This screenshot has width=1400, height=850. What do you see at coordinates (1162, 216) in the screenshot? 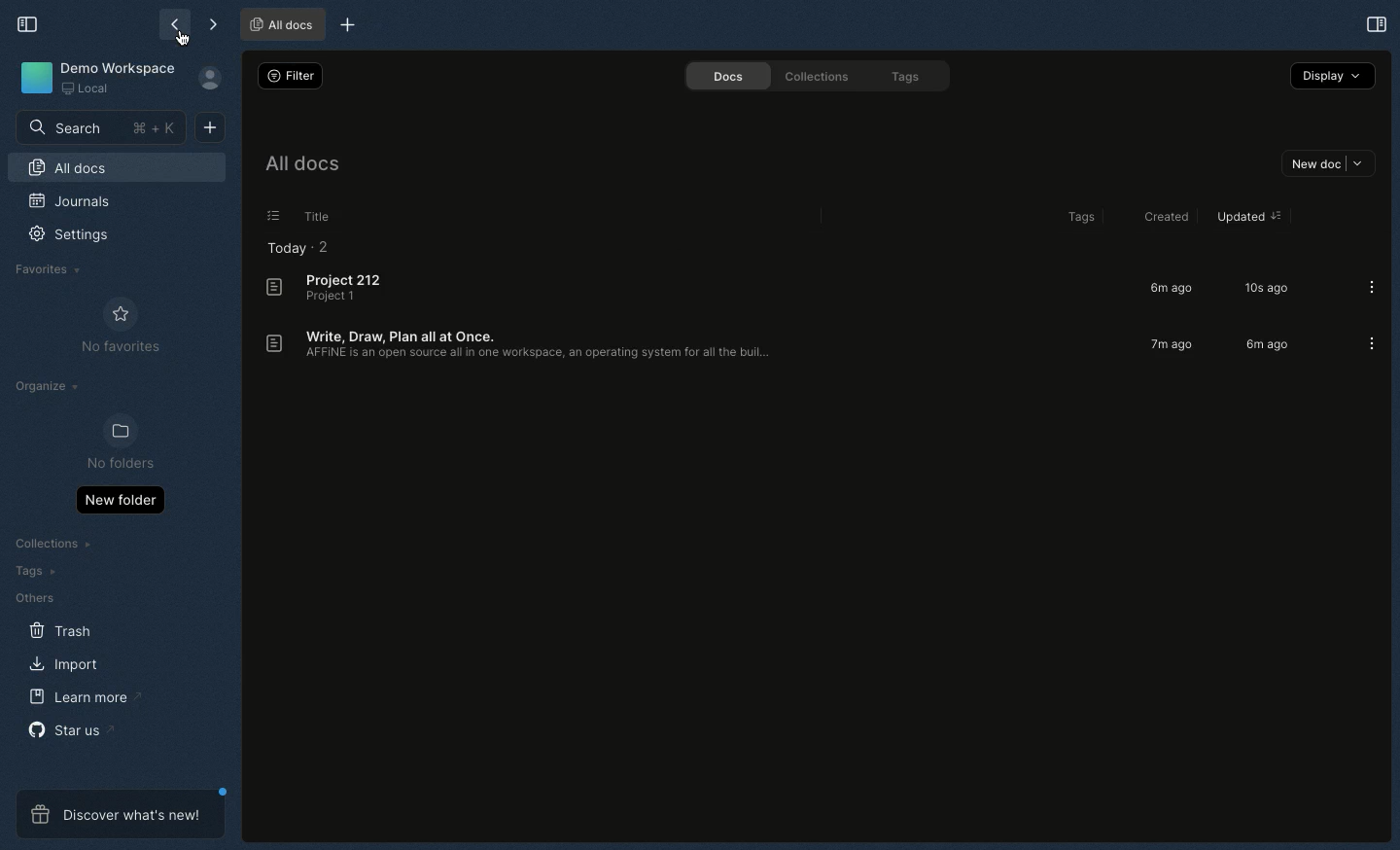
I see `Created` at bounding box center [1162, 216].